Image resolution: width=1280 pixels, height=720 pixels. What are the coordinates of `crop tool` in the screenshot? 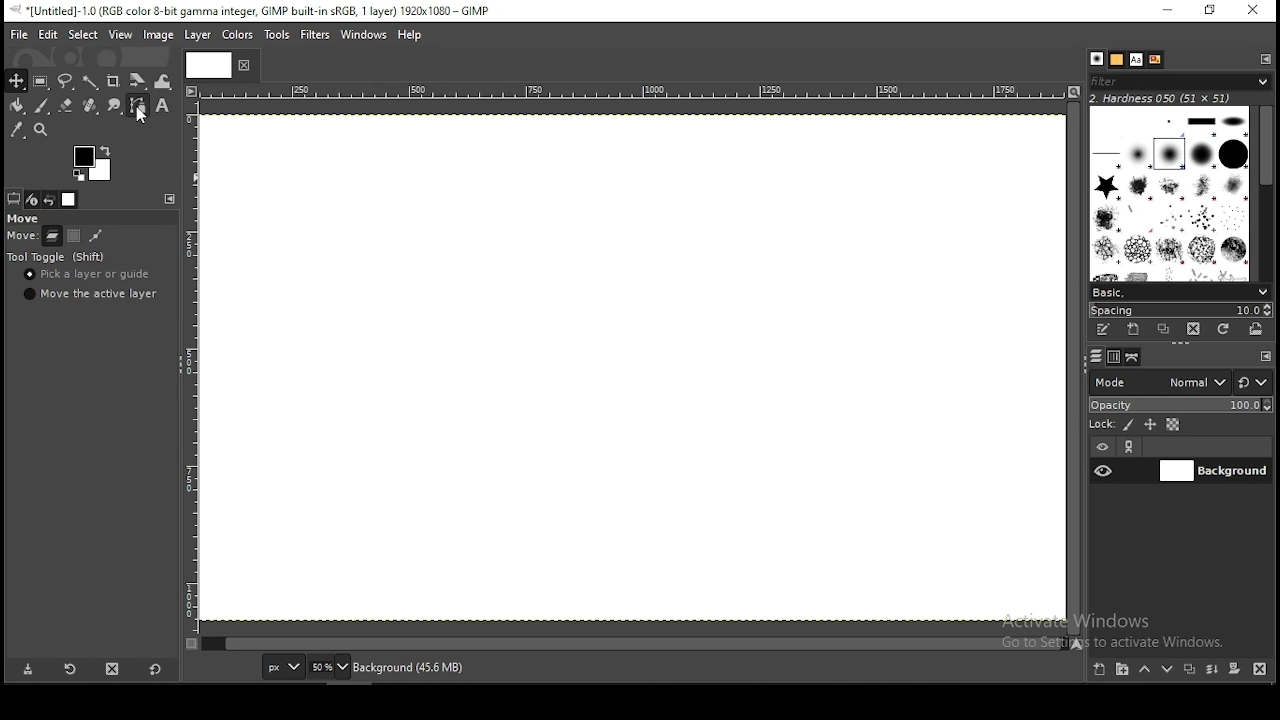 It's located at (115, 80).